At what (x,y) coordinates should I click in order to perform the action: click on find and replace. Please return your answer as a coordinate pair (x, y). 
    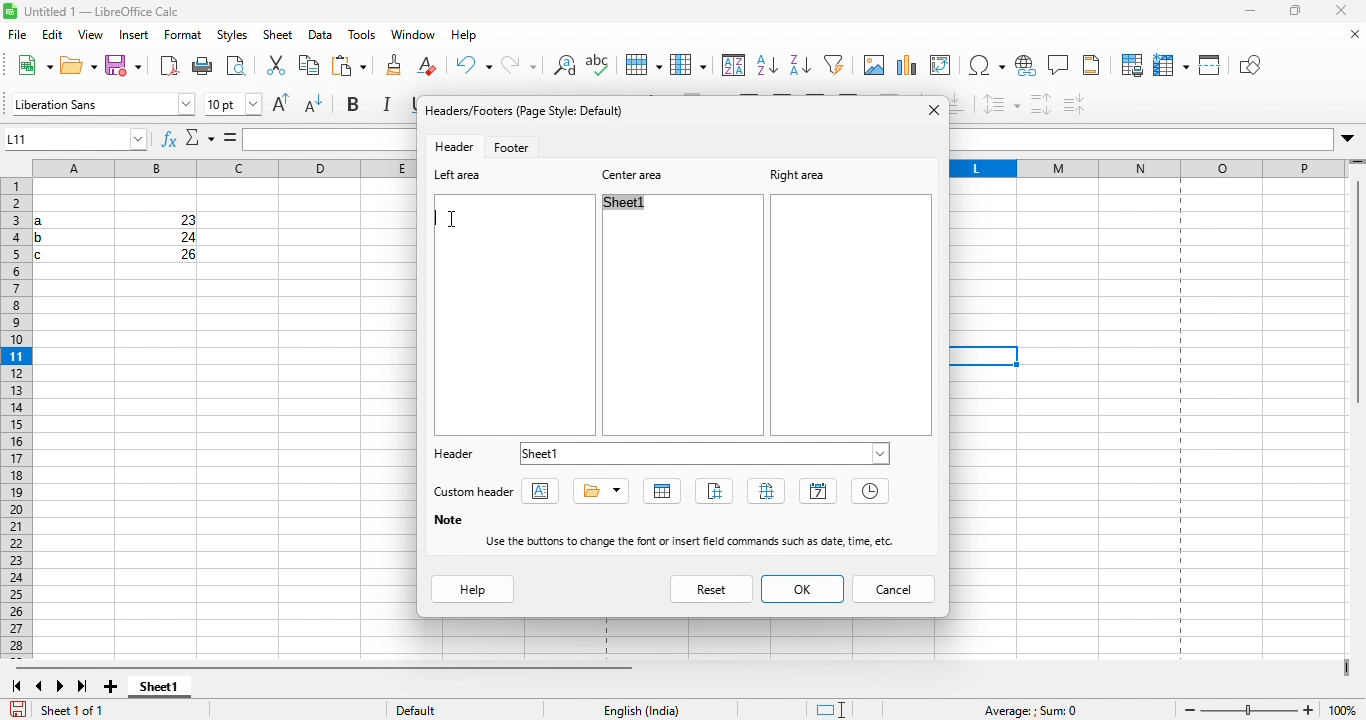
    Looking at the image, I should click on (520, 67).